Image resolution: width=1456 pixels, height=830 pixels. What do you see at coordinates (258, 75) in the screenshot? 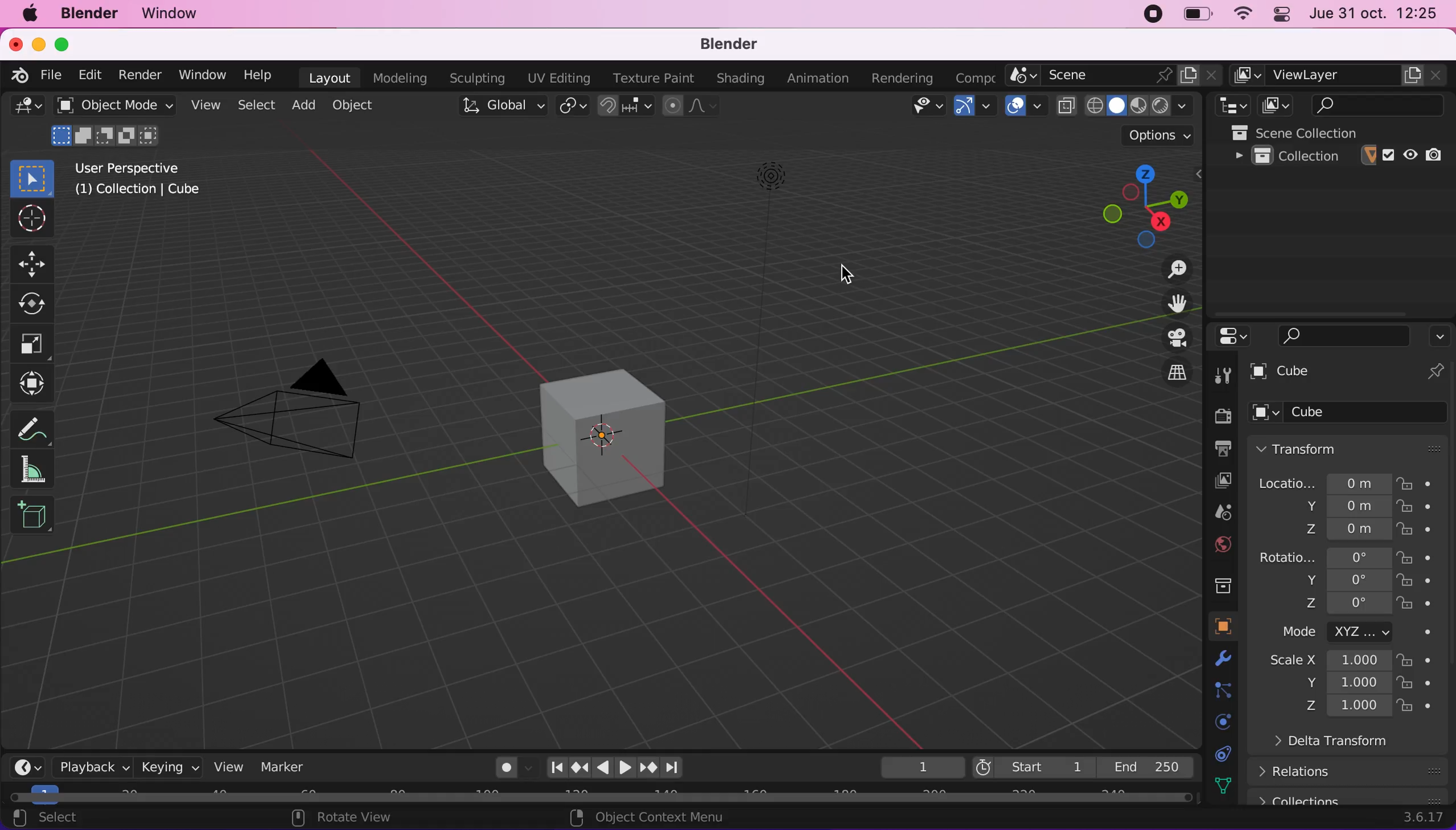
I see `help` at bounding box center [258, 75].